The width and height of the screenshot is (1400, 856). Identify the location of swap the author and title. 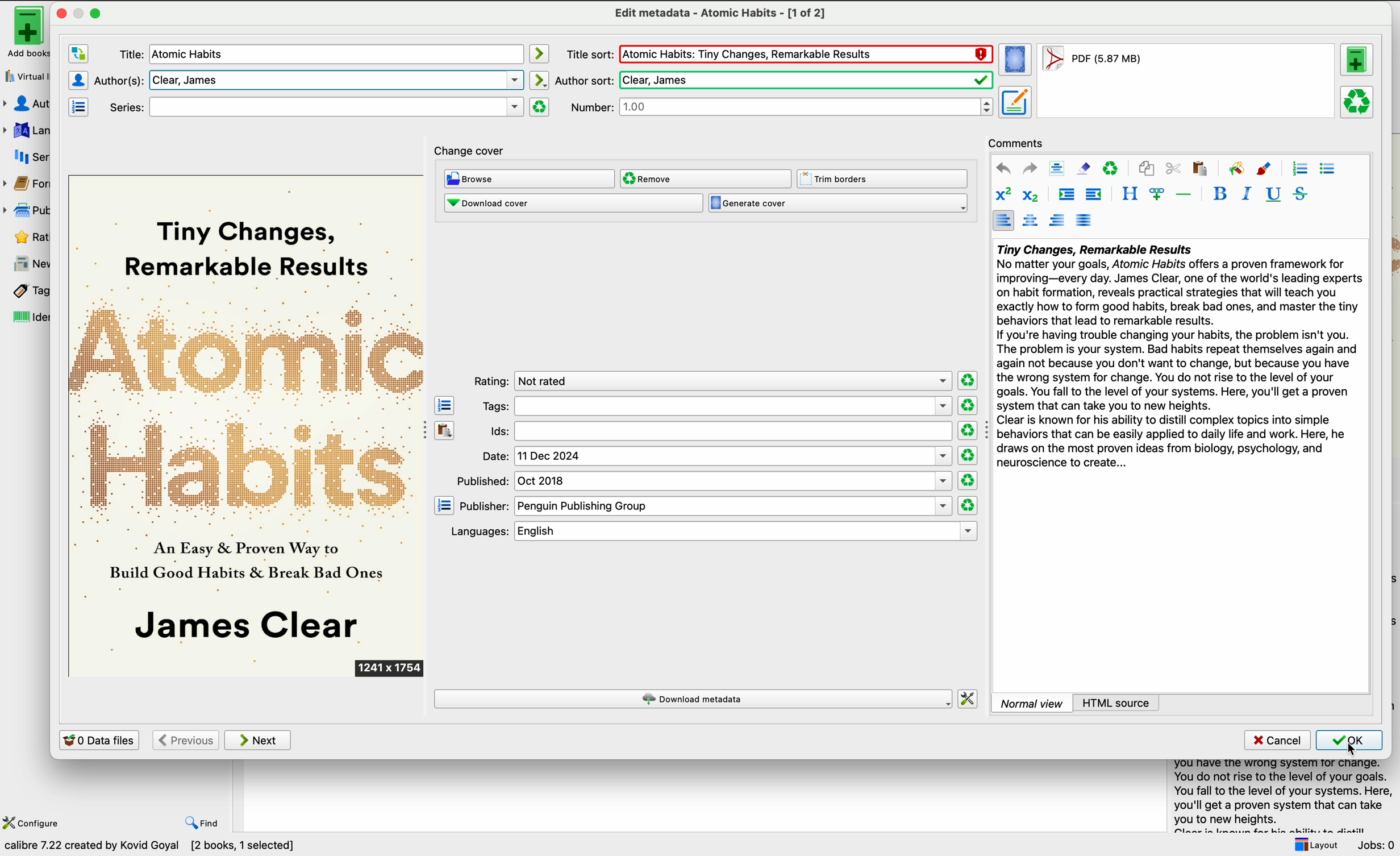
(78, 55).